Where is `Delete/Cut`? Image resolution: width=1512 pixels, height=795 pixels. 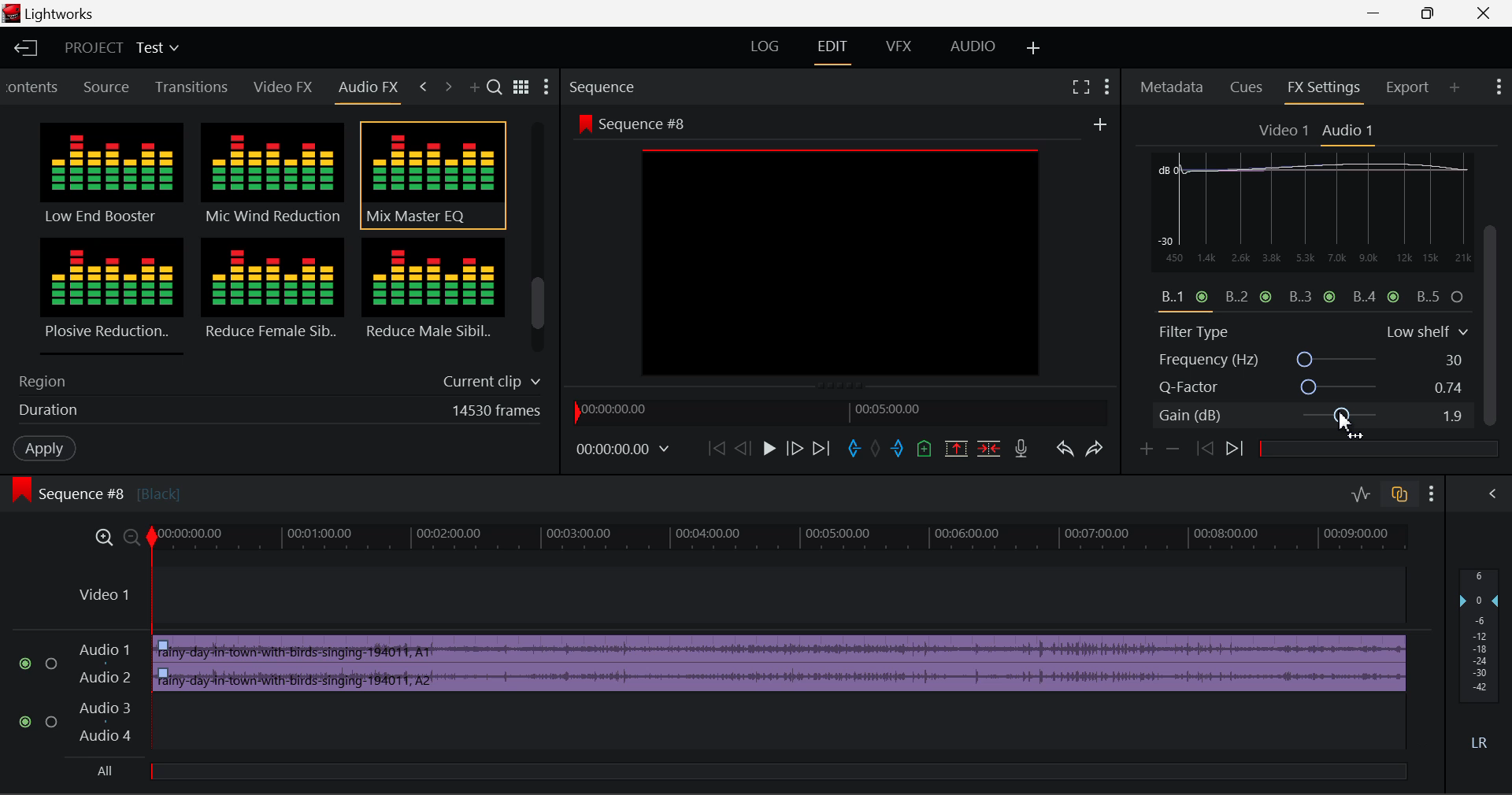
Delete/Cut is located at coordinates (991, 449).